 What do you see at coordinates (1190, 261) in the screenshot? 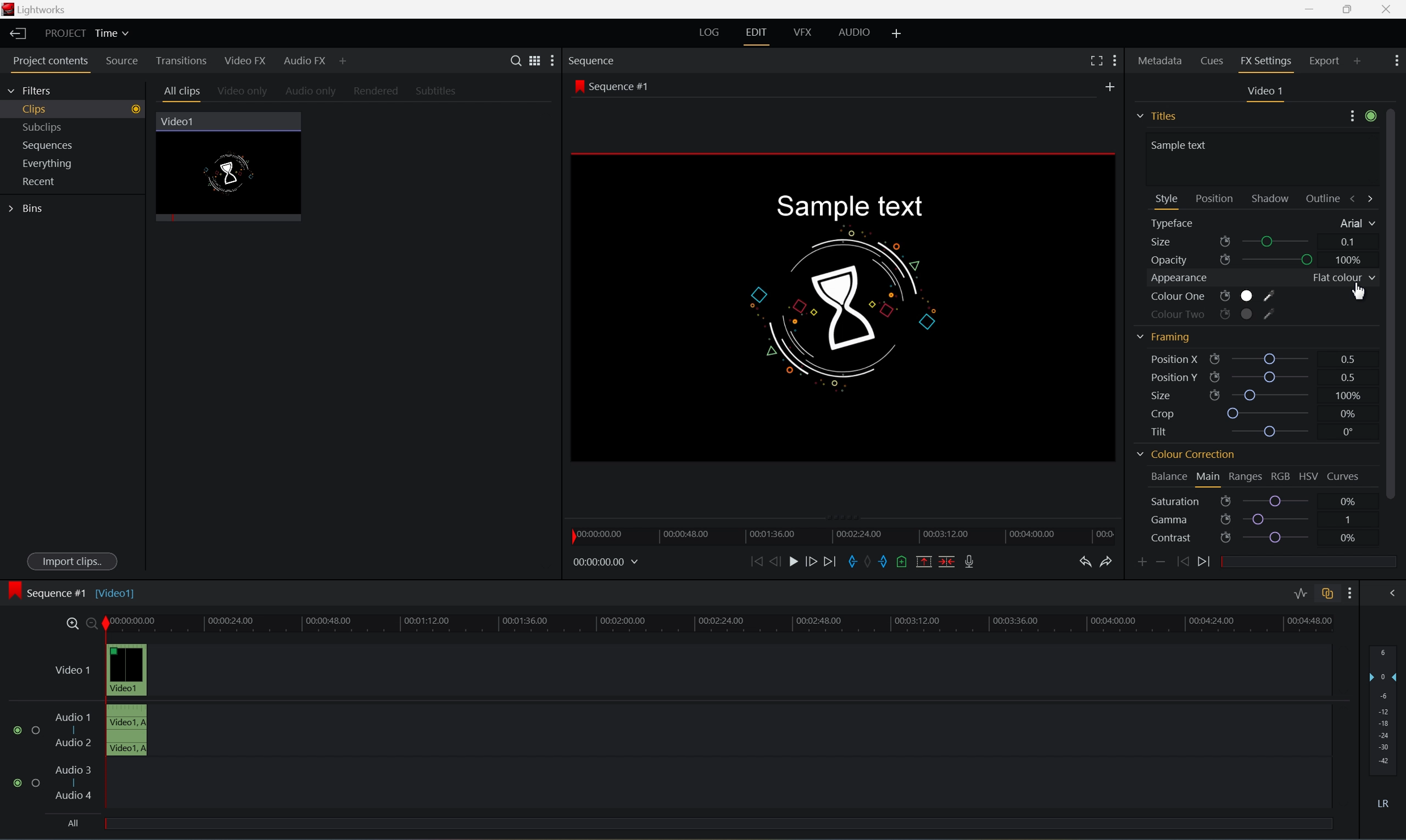
I see `opacity` at bounding box center [1190, 261].